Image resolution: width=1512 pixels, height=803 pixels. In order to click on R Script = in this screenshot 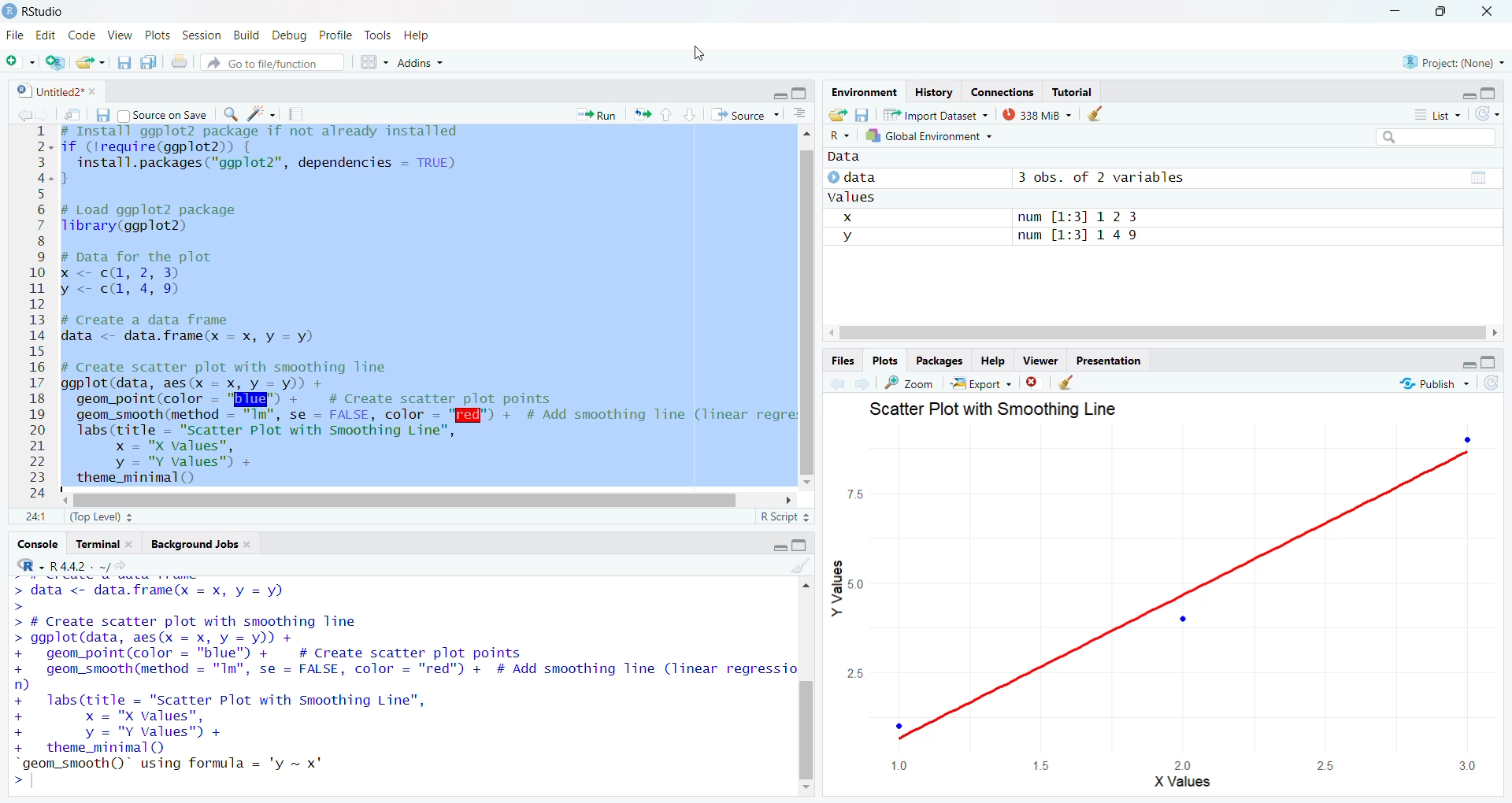, I will do `click(783, 516)`.